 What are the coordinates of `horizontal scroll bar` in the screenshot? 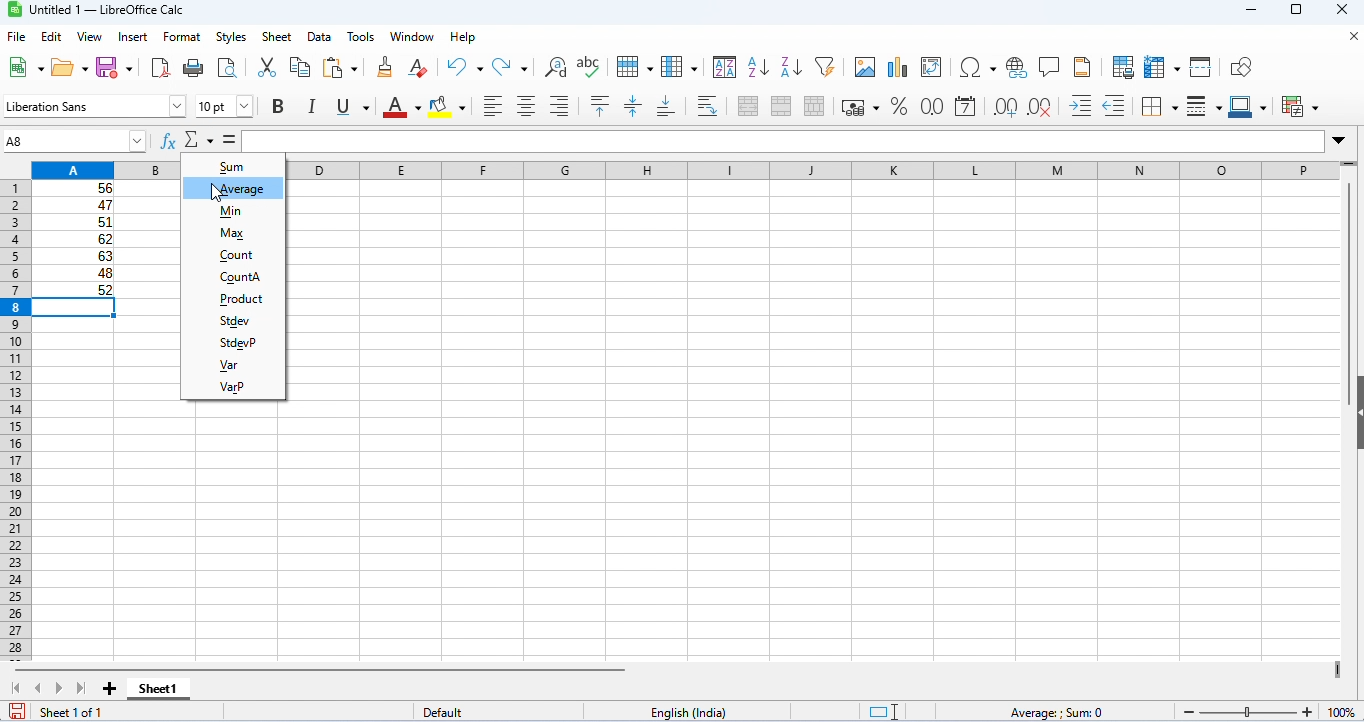 It's located at (328, 669).